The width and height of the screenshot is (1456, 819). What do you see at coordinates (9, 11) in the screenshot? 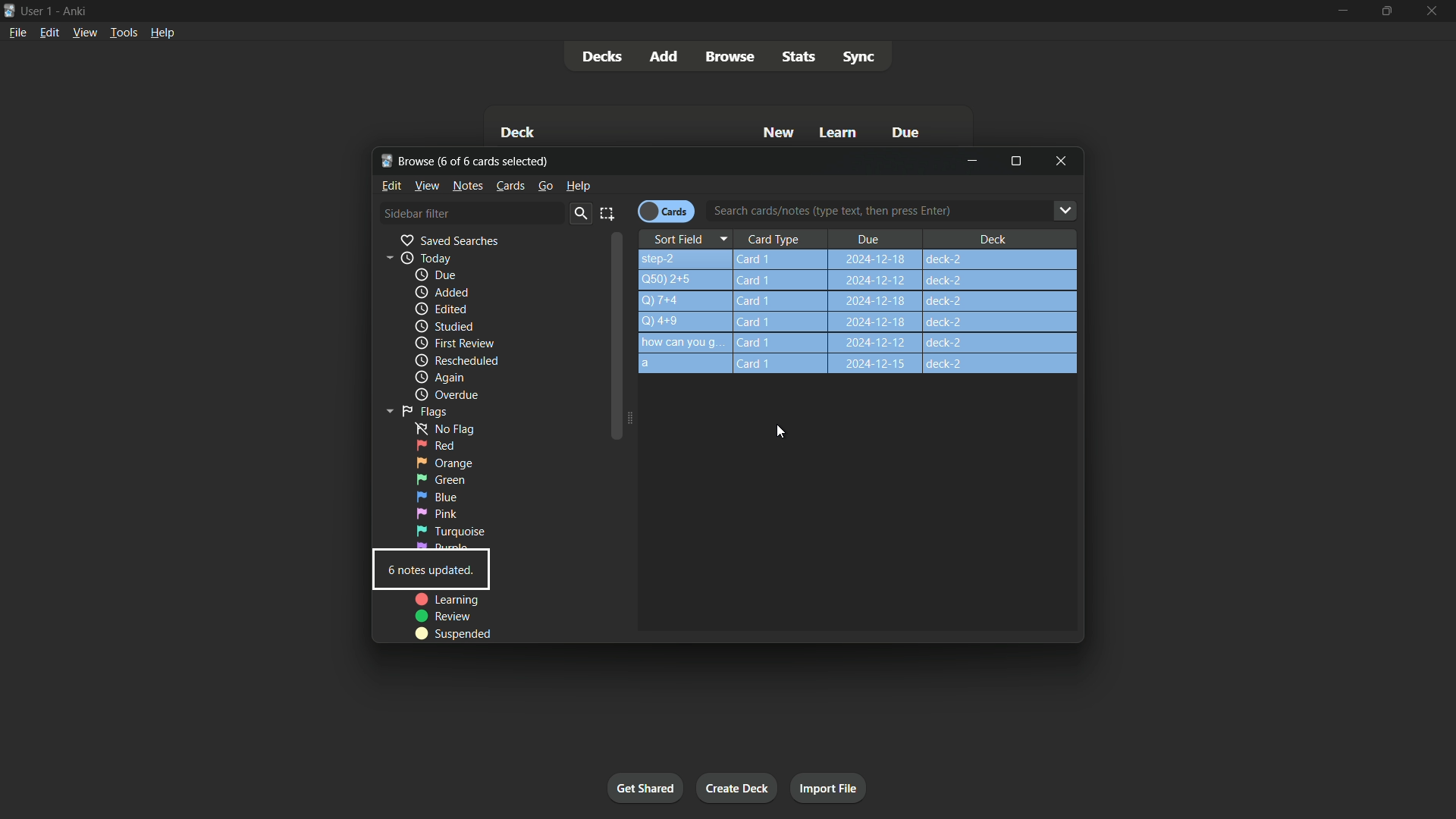
I see `App icon` at bounding box center [9, 11].